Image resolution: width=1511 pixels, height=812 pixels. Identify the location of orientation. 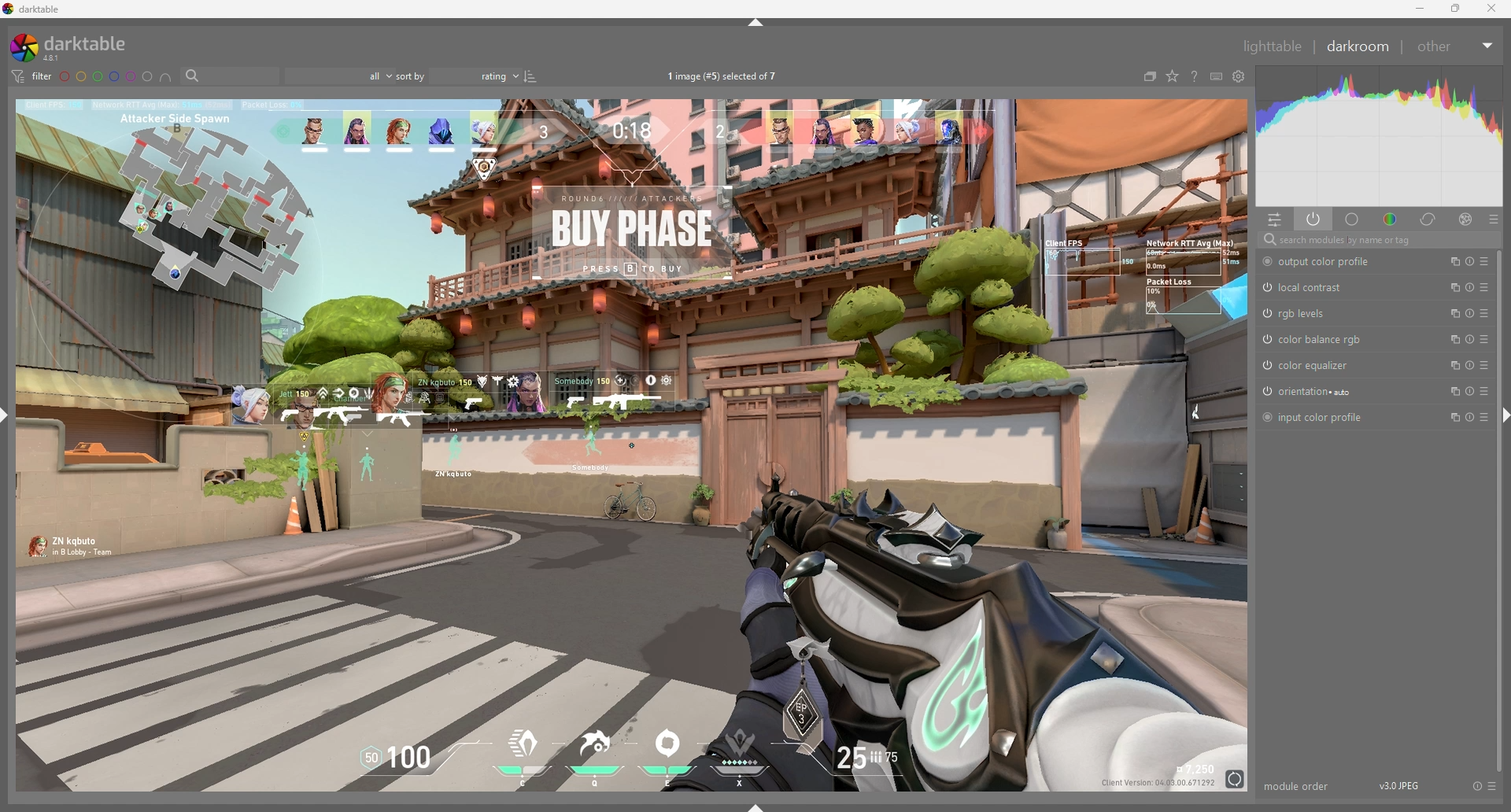
(1311, 392).